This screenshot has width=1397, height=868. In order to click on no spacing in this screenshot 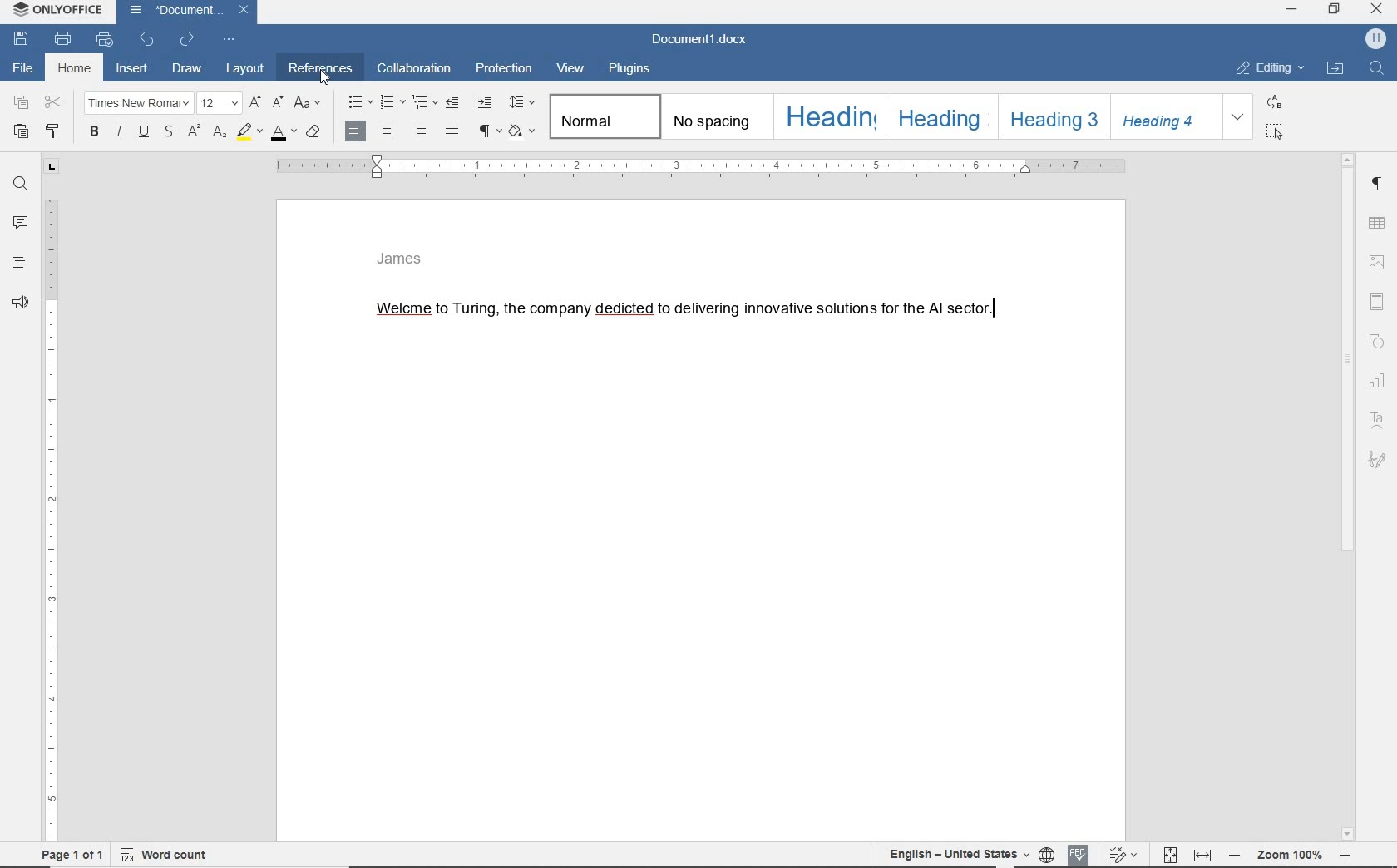, I will do `click(718, 121)`.